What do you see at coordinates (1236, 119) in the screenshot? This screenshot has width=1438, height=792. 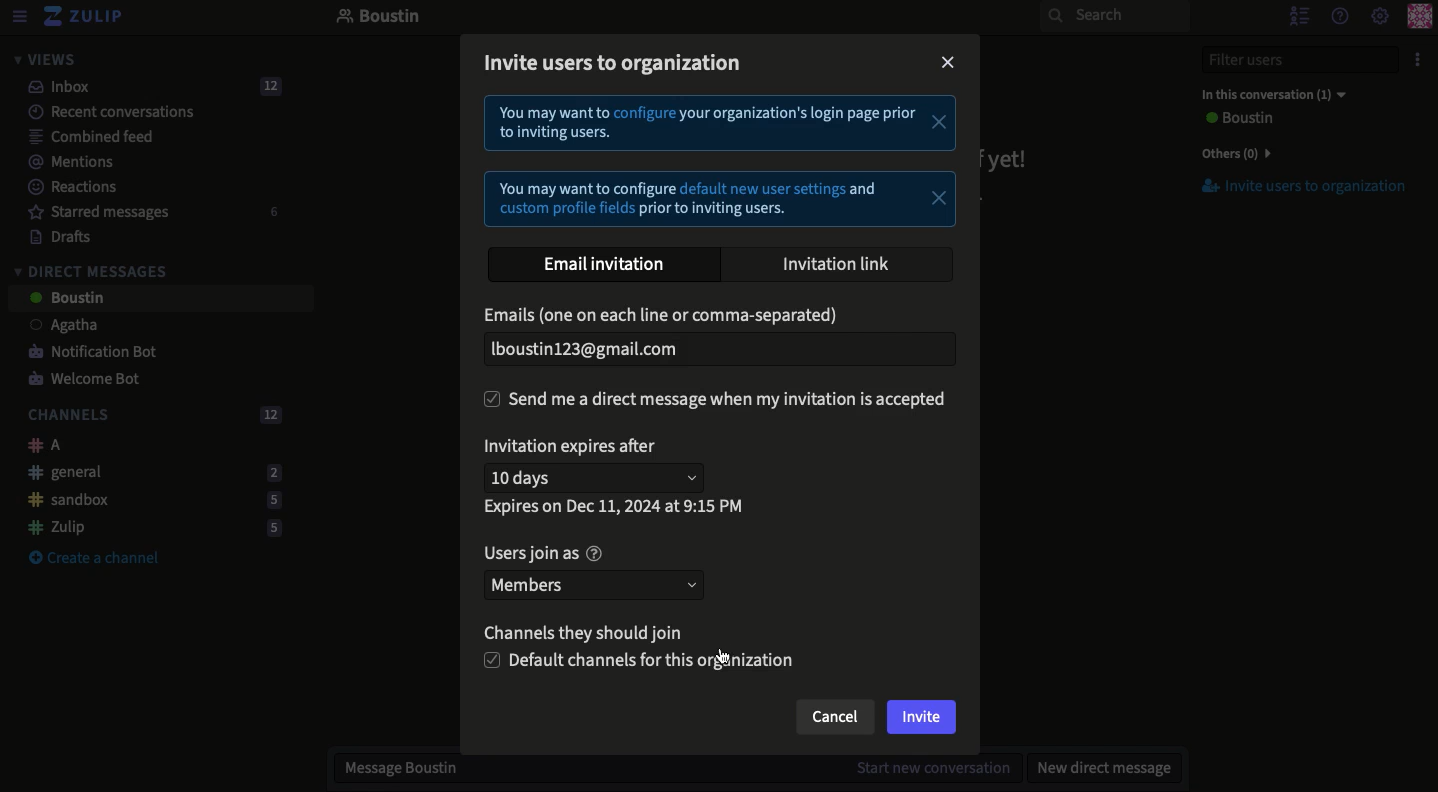 I see `User` at bounding box center [1236, 119].